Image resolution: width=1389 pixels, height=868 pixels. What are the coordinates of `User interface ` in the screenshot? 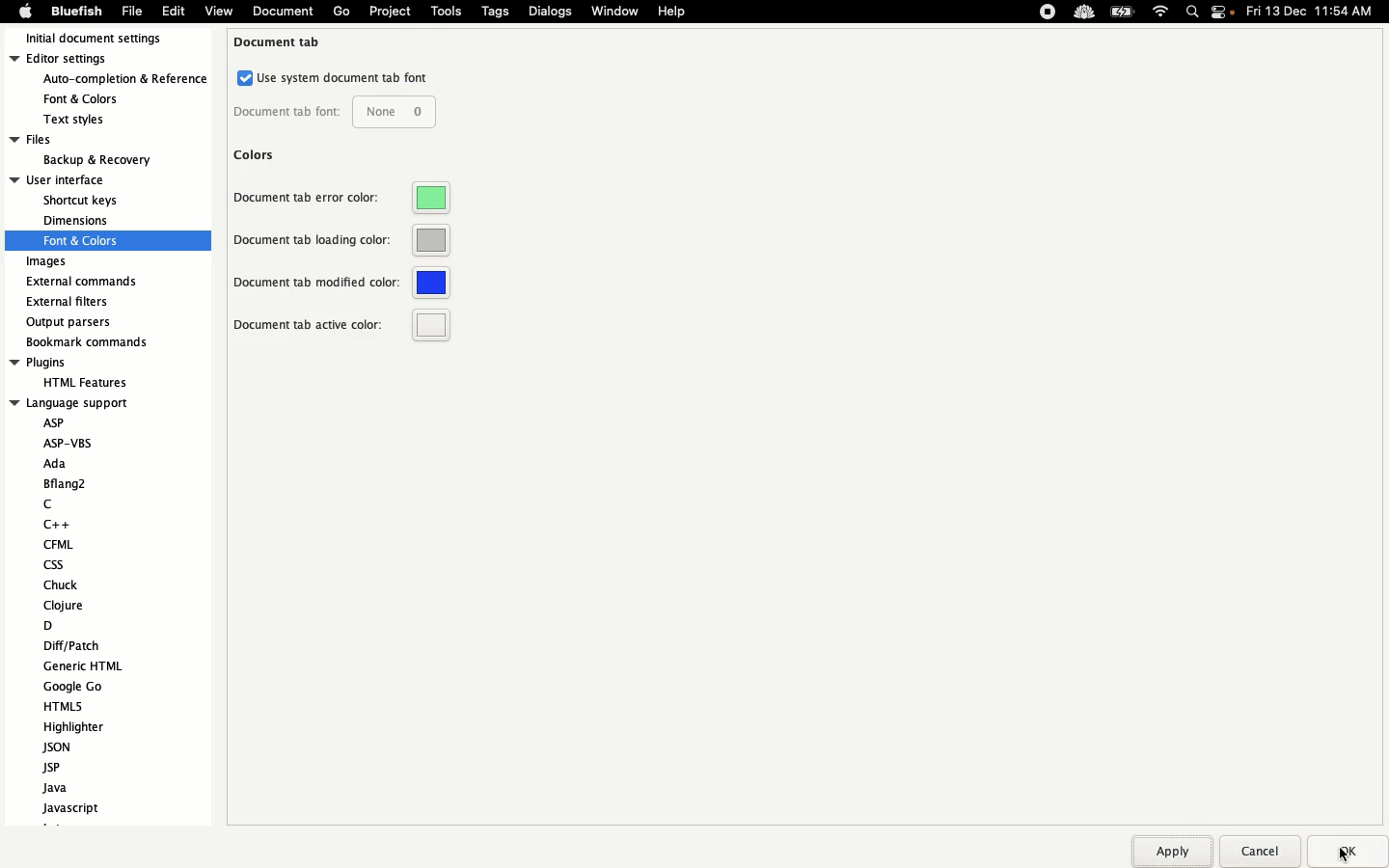 It's located at (75, 179).